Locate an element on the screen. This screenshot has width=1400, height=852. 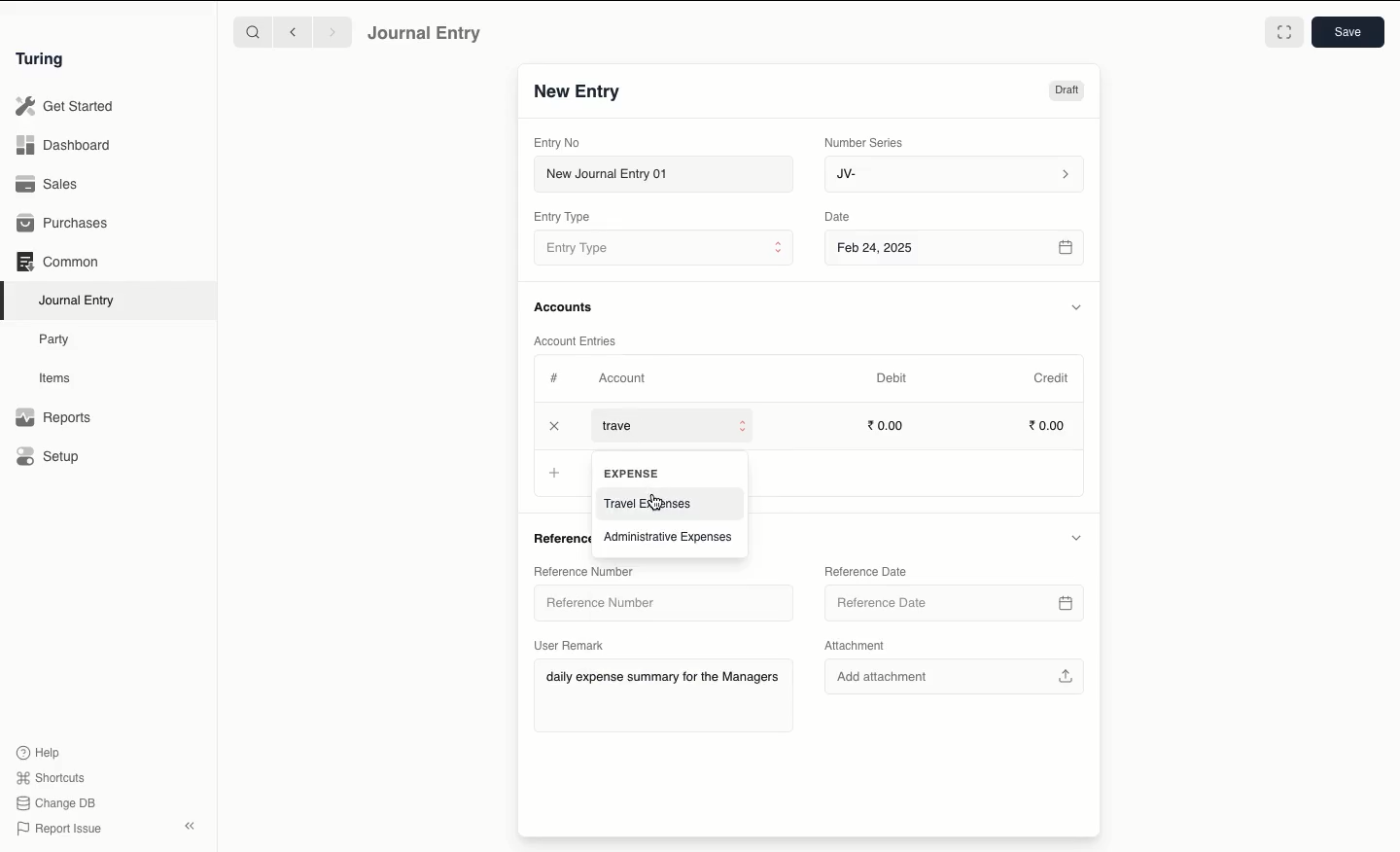
Expense is located at coordinates (630, 473).